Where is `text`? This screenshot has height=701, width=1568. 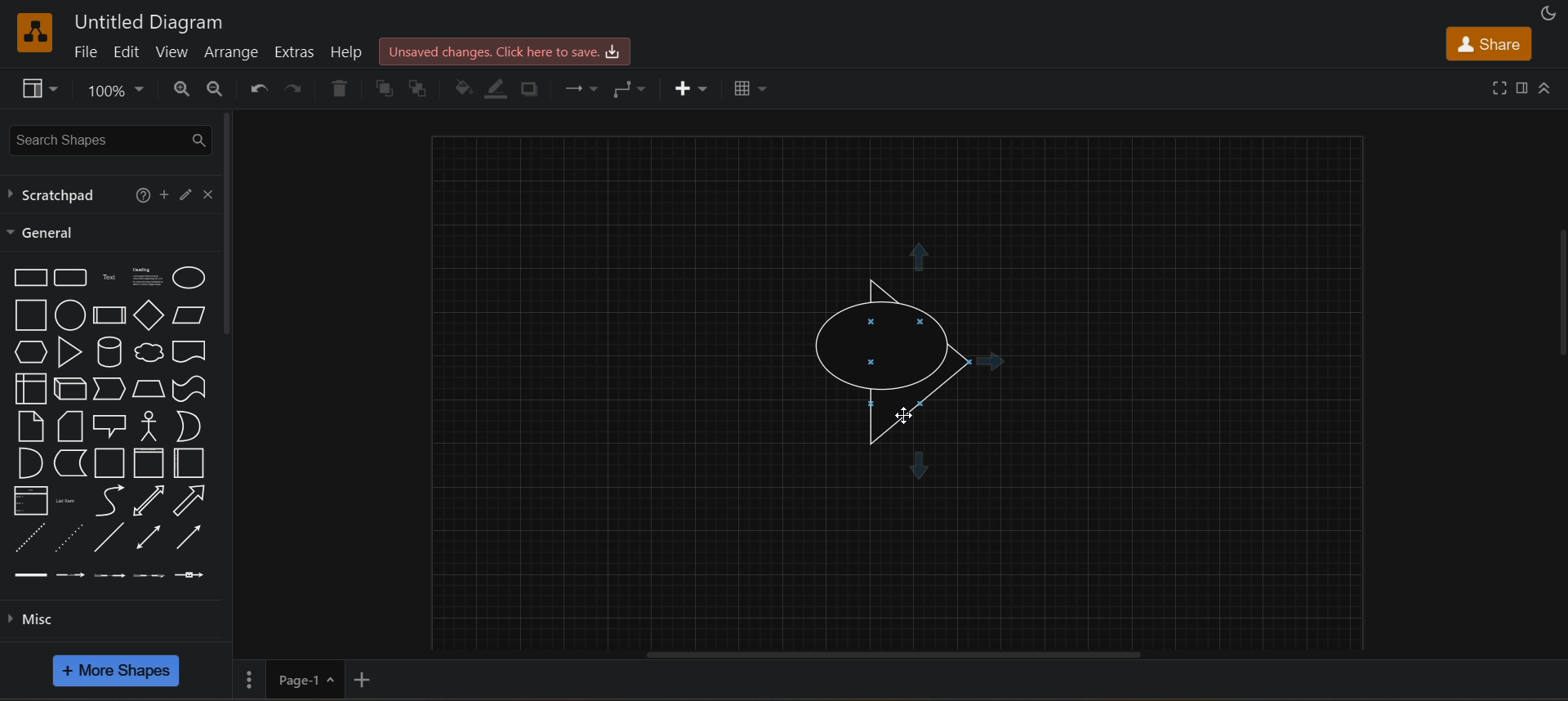 text is located at coordinates (108, 278).